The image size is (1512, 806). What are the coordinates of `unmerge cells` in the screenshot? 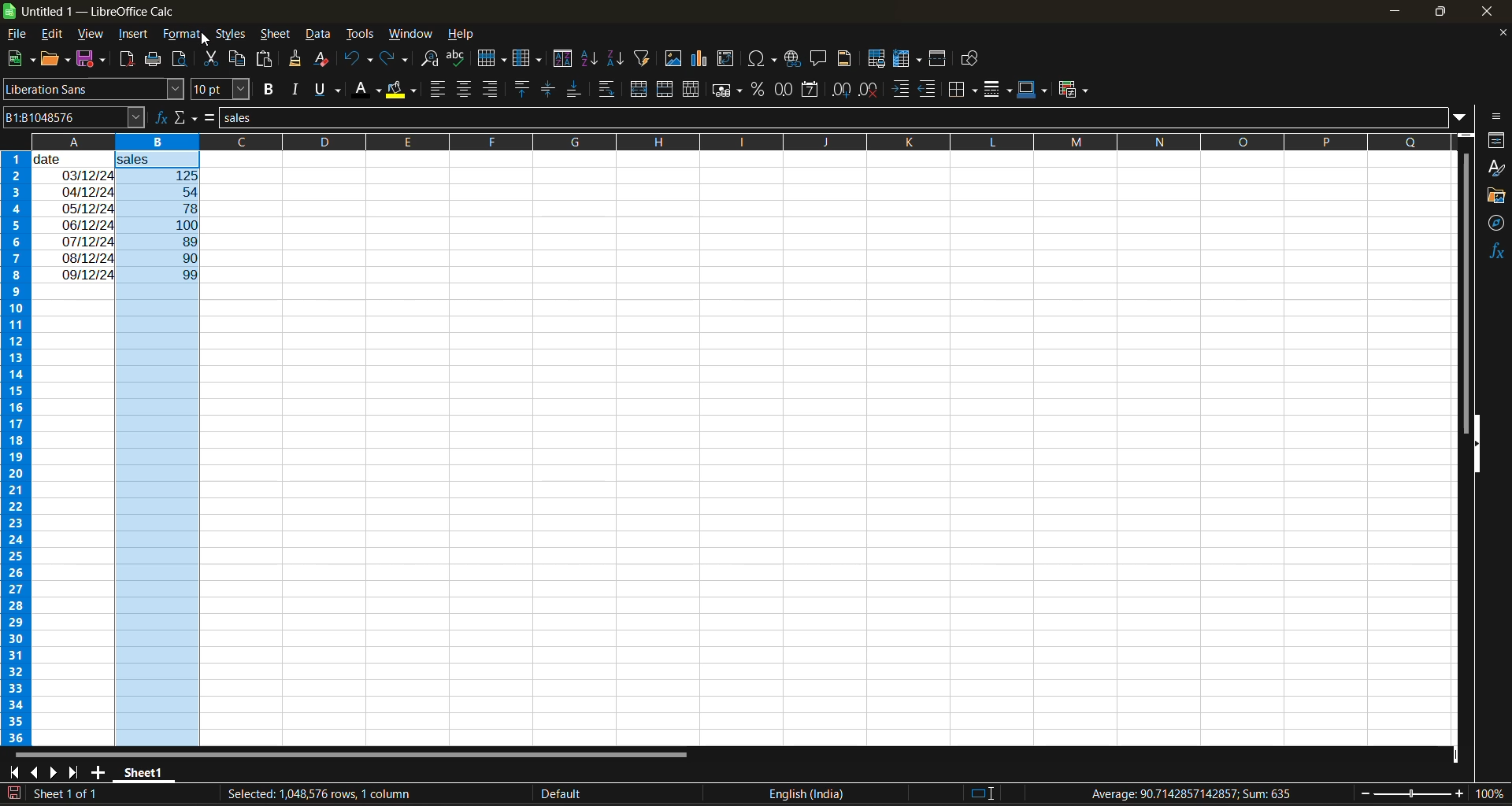 It's located at (691, 91).